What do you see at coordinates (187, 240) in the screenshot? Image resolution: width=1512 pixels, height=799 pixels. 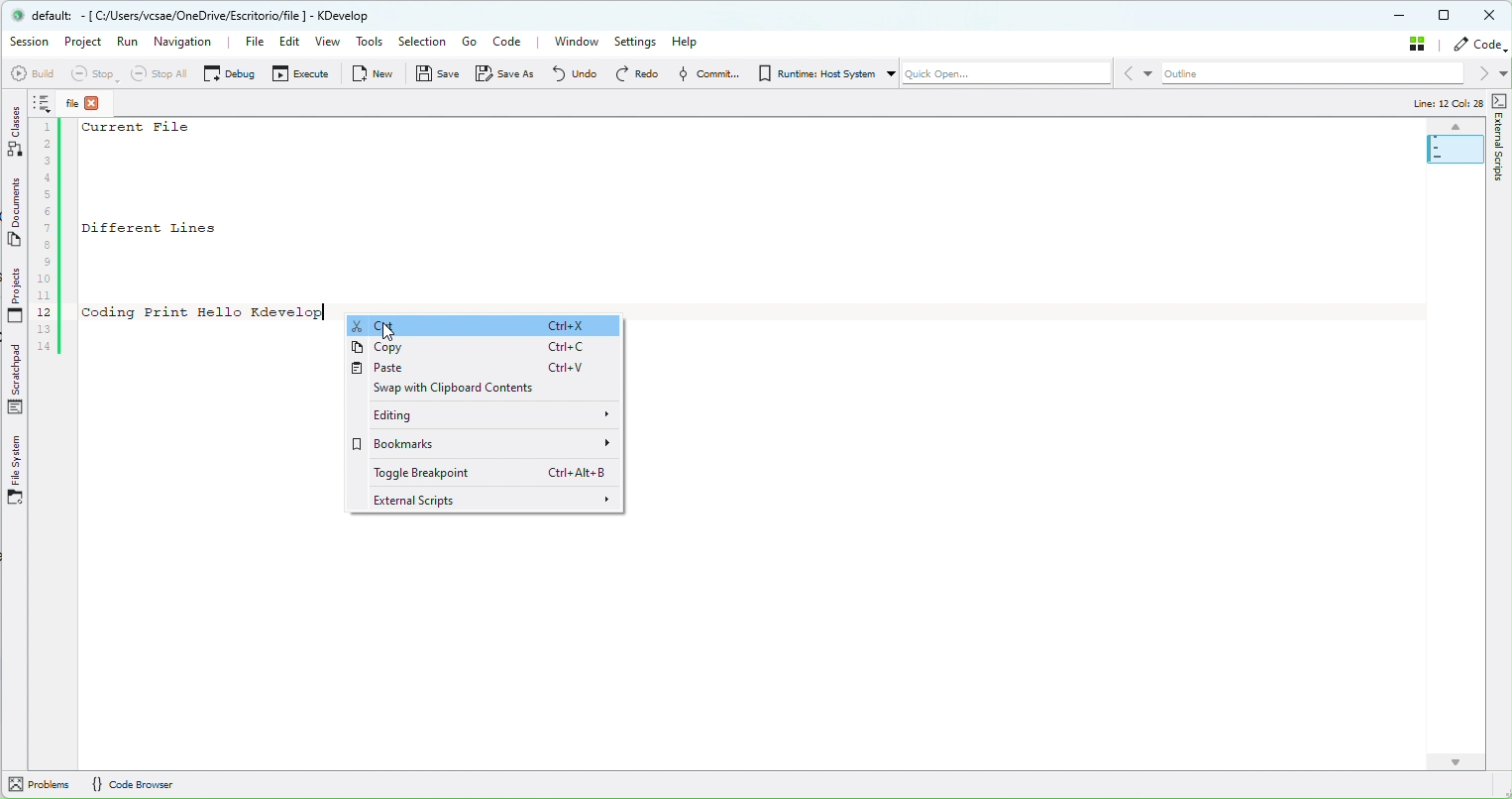 I see `EE Cenant:. Fain
7| Different Lines
12| coding Print Hello Kdevelop|` at bounding box center [187, 240].